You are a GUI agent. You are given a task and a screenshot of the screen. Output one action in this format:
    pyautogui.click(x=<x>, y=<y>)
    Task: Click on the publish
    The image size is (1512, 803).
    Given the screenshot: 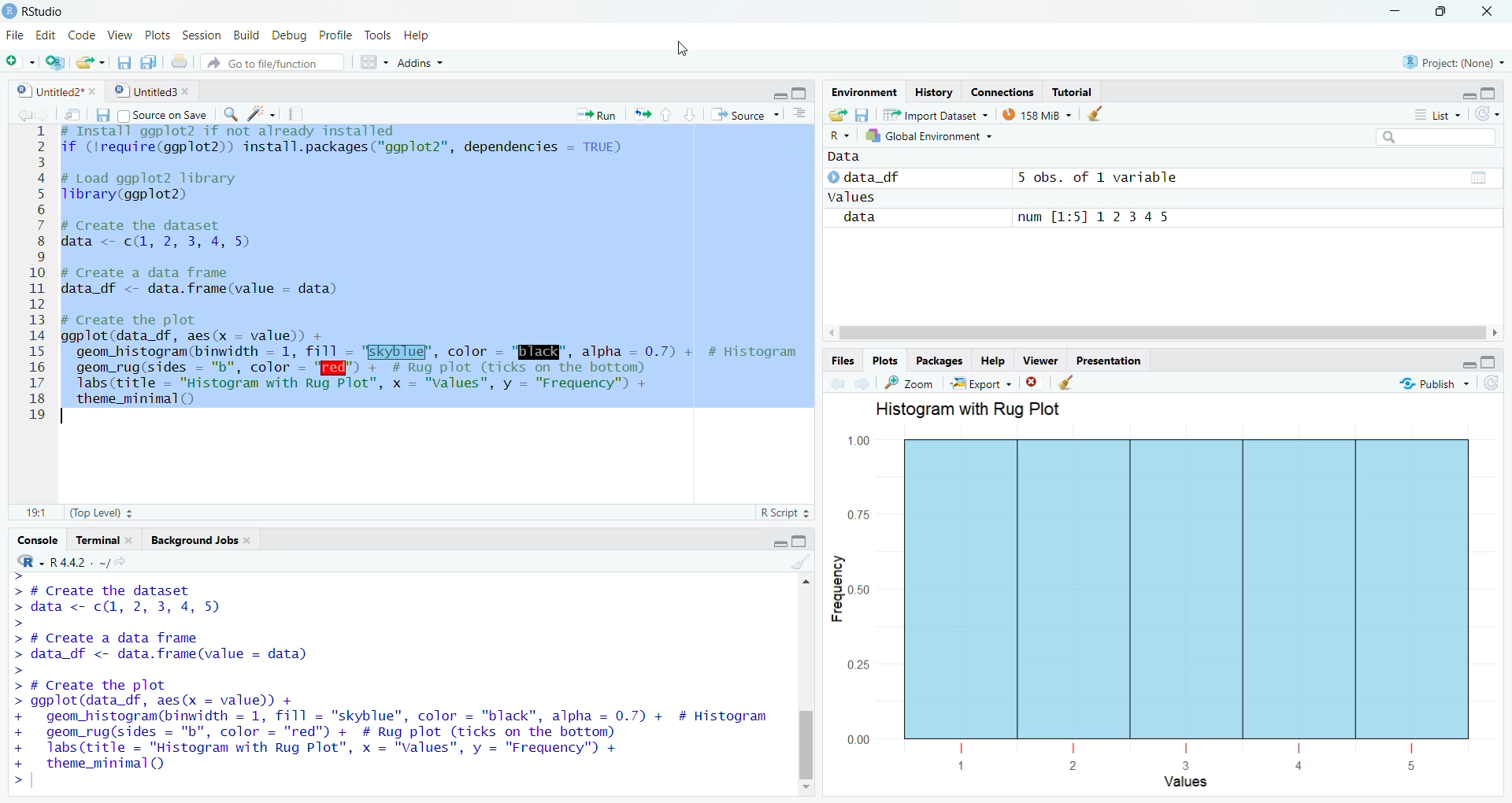 What is the action you would take?
    pyautogui.click(x=1391, y=381)
    